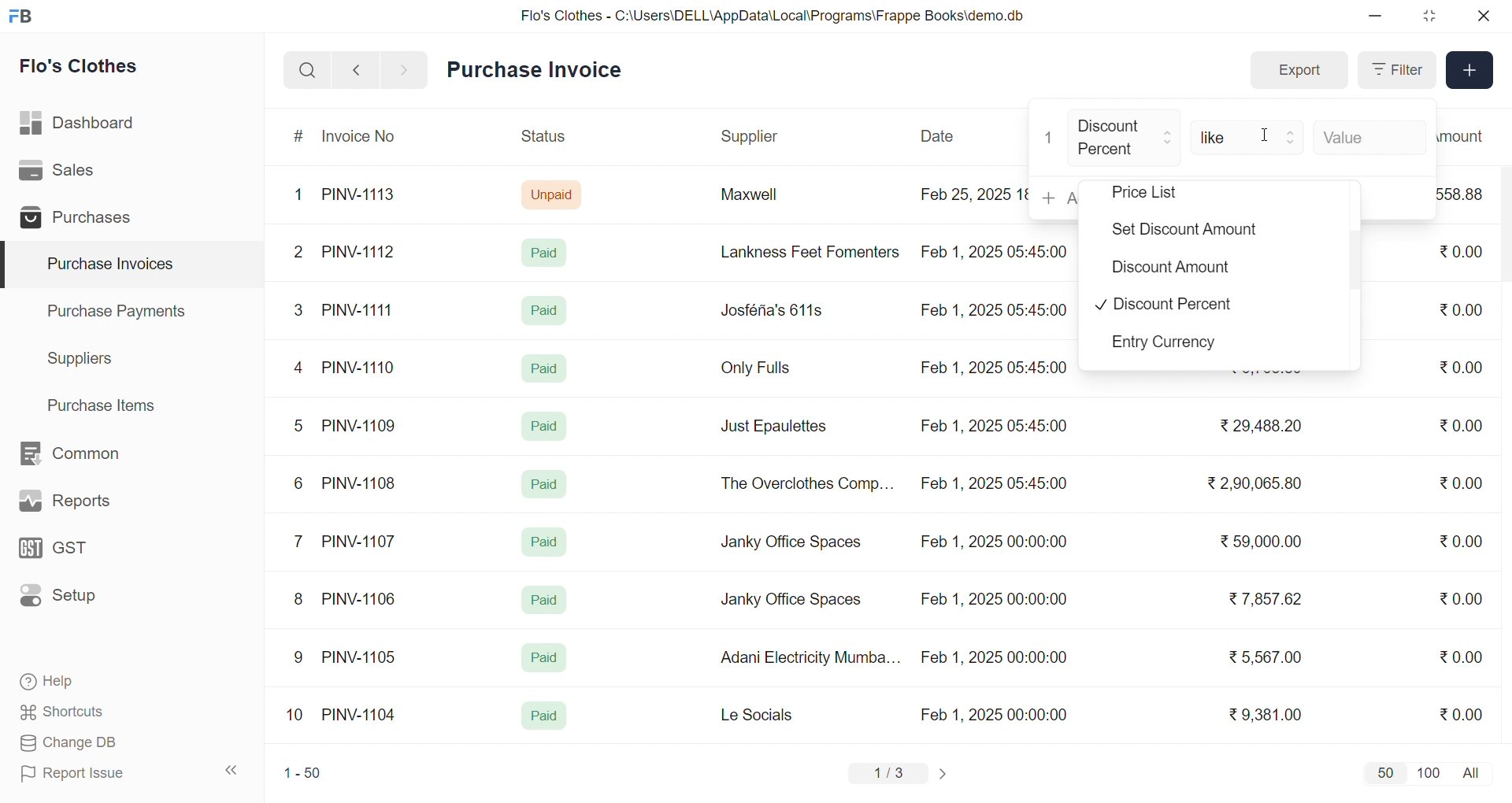  What do you see at coordinates (889, 775) in the screenshot?
I see `1/3` at bounding box center [889, 775].